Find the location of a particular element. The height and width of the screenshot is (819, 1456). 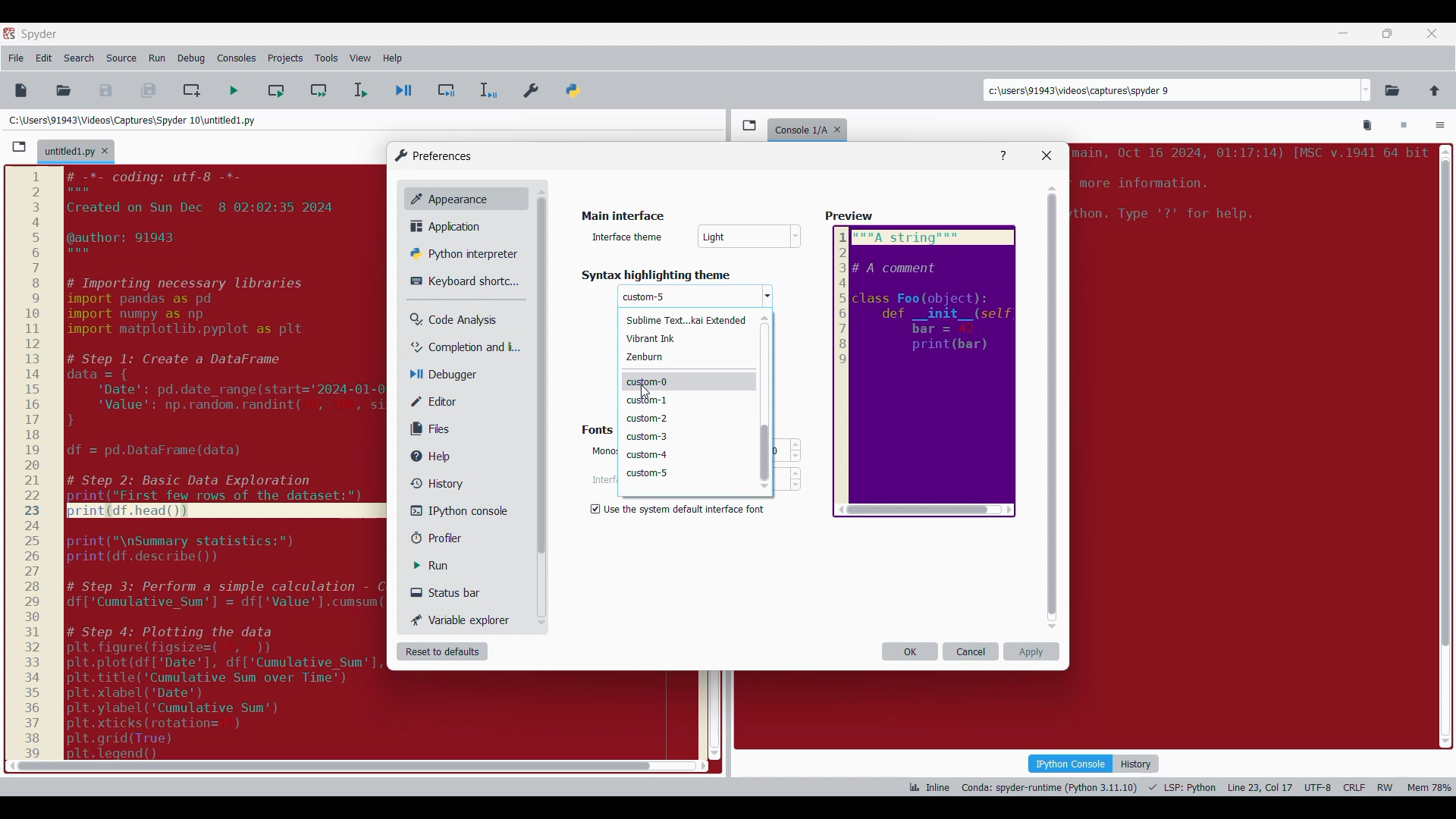

Vertical slide bar is located at coordinates (764, 401).